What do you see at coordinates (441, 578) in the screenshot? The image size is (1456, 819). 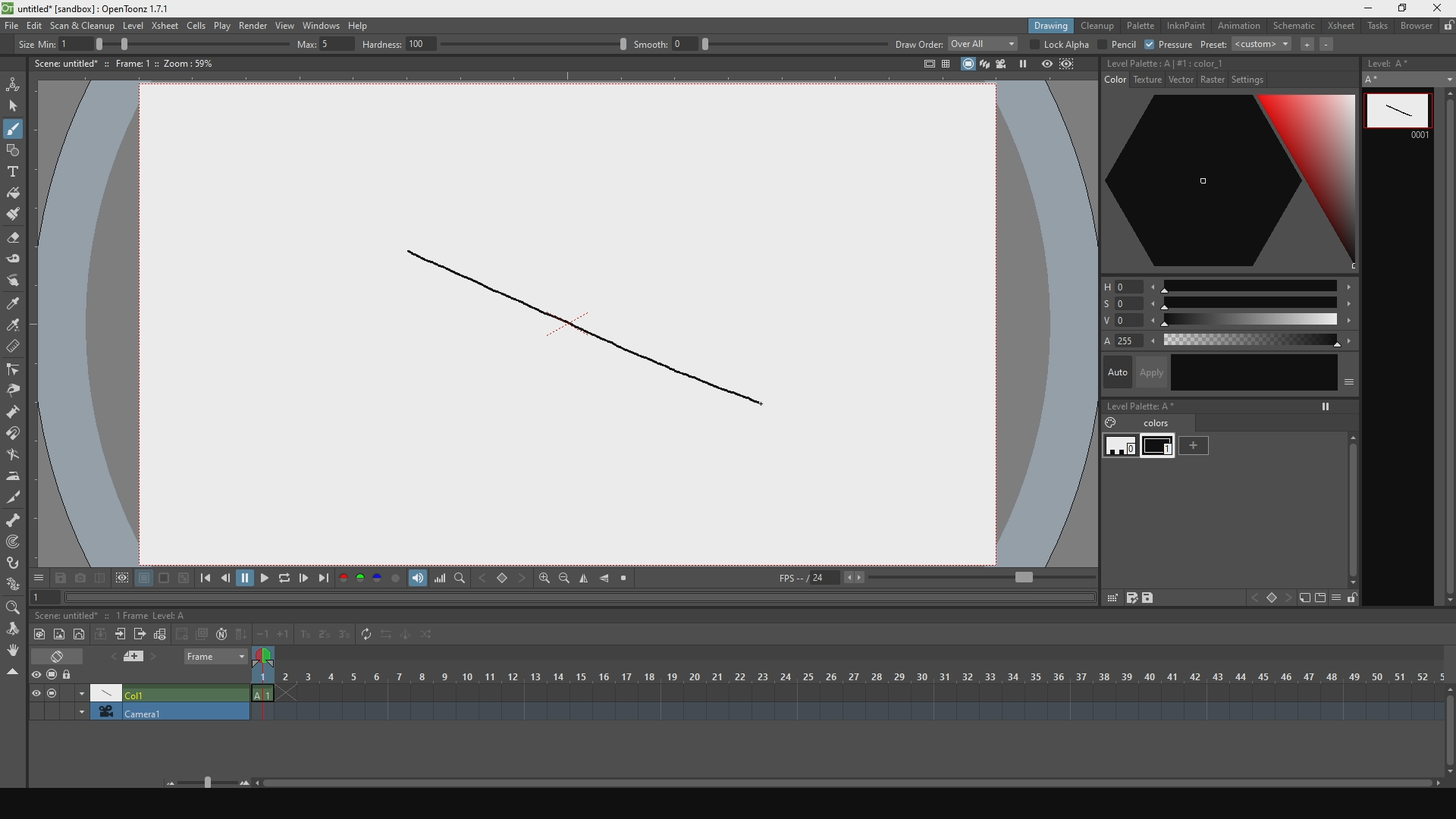 I see `volume` at bounding box center [441, 578].